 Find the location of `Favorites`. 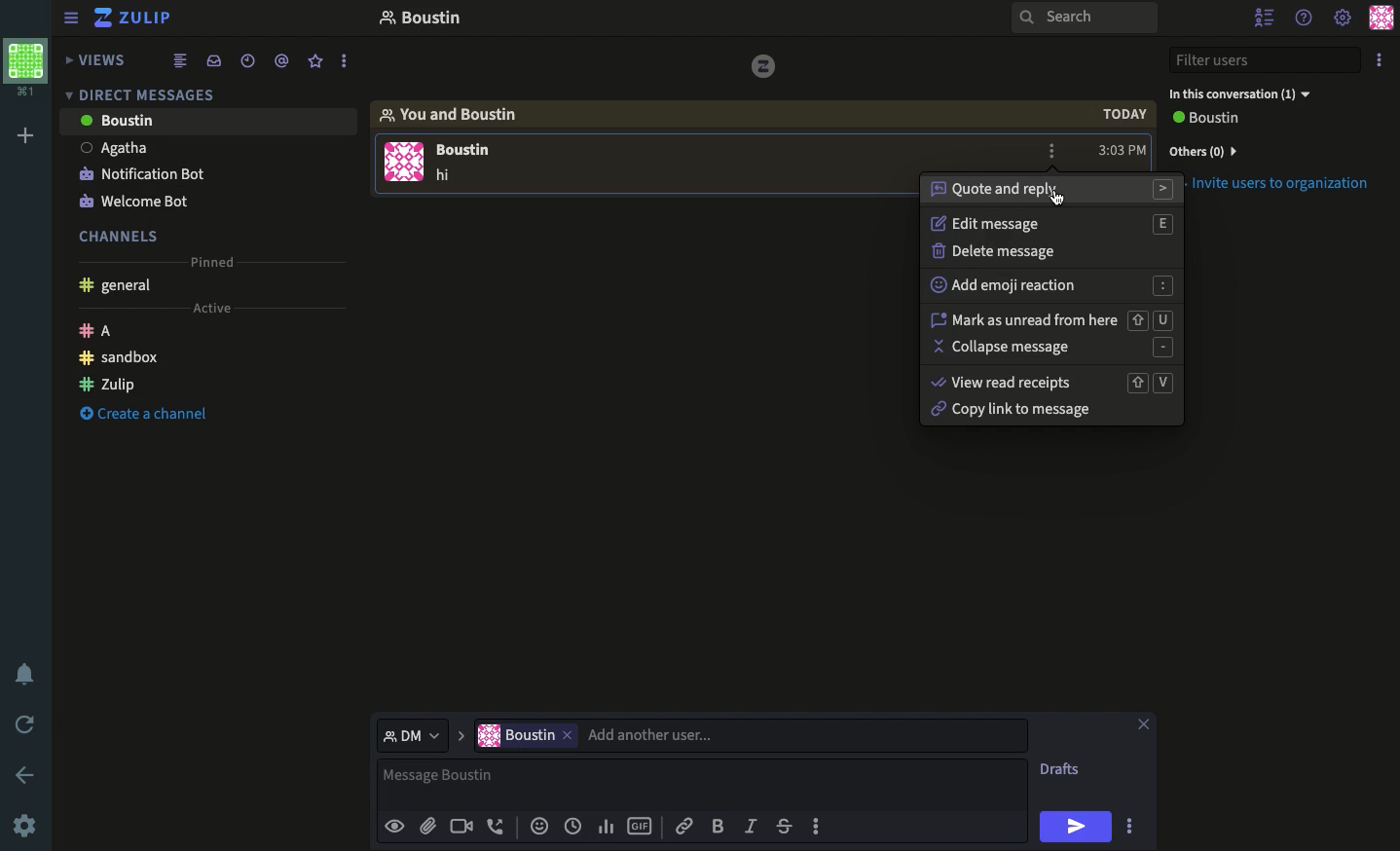

Favorites is located at coordinates (316, 61).